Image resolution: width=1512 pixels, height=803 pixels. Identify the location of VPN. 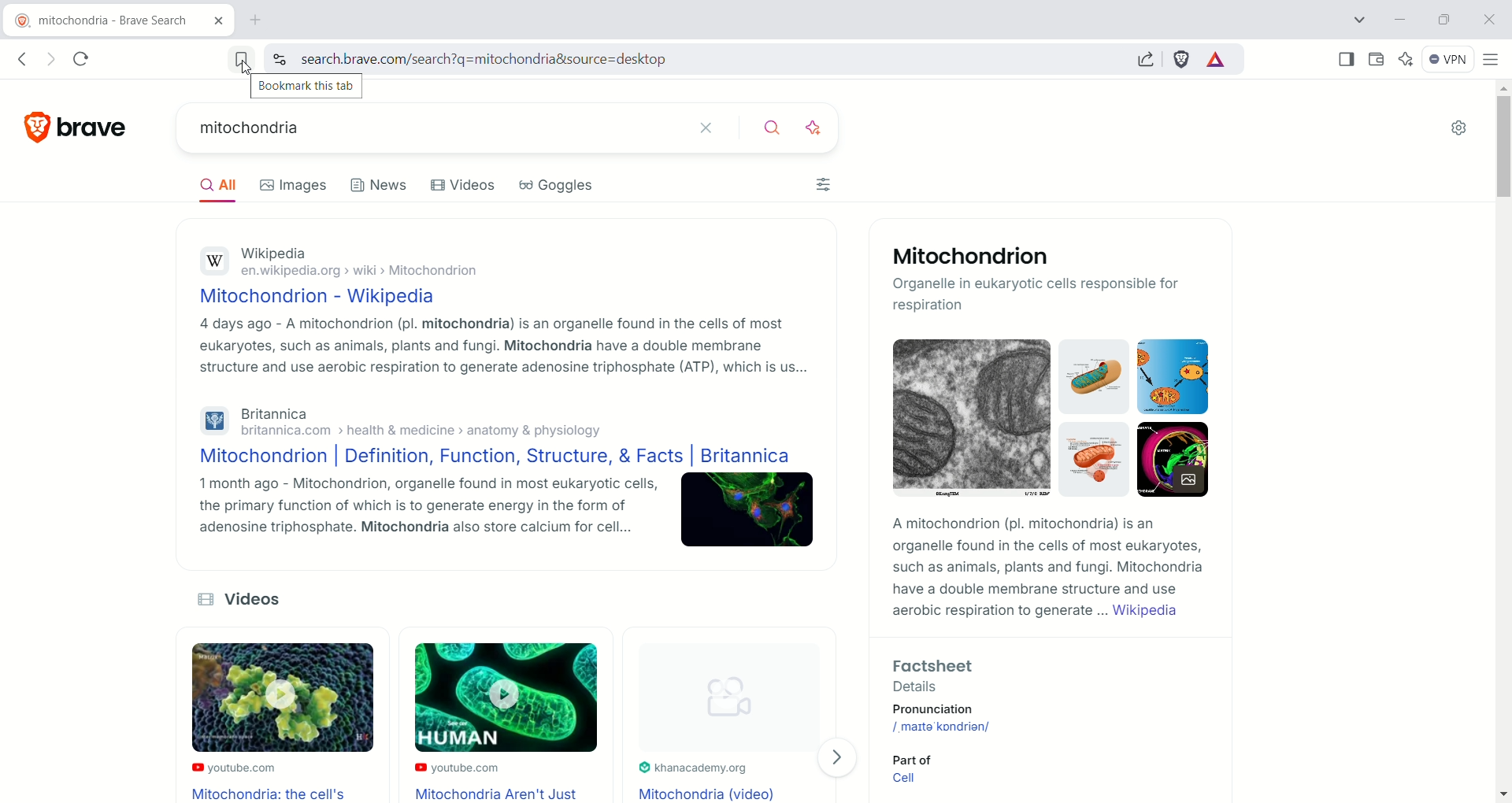
(1451, 60).